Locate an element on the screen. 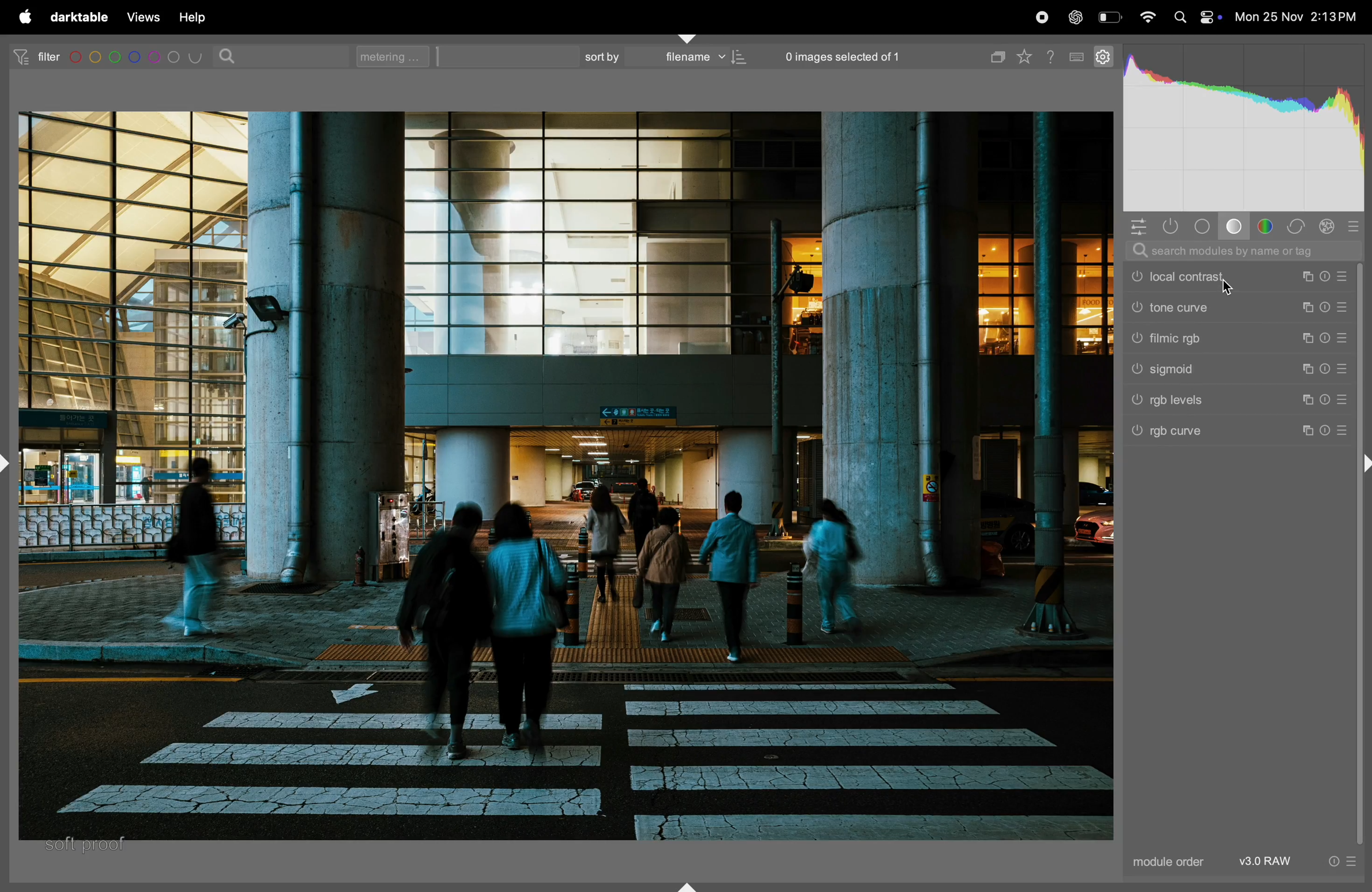 This screenshot has height=892, width=1372. rgb curve is located at coordinates (1231, 430).